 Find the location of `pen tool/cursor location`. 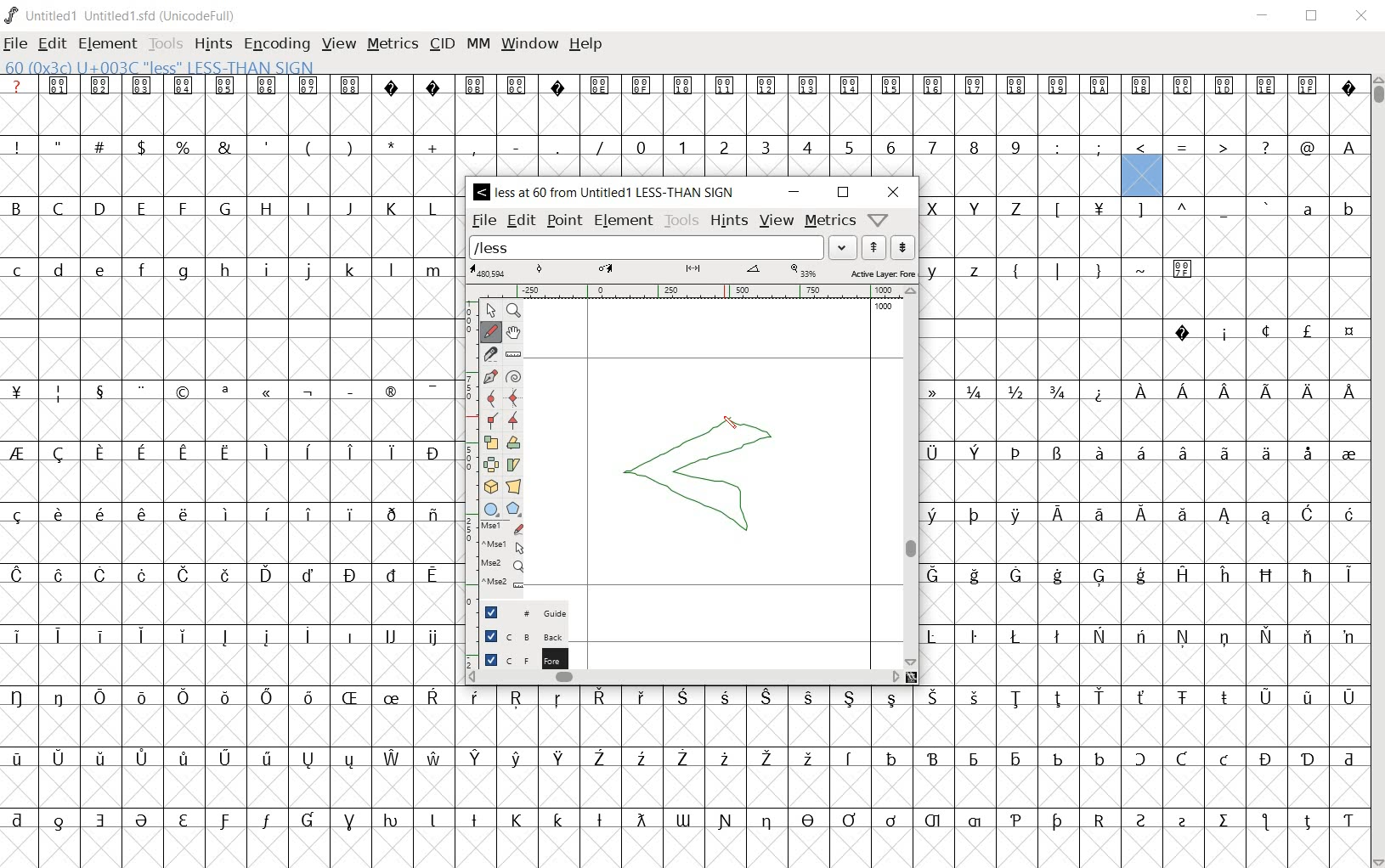

pen tool/cursor location is located at coordinates (739, 426).